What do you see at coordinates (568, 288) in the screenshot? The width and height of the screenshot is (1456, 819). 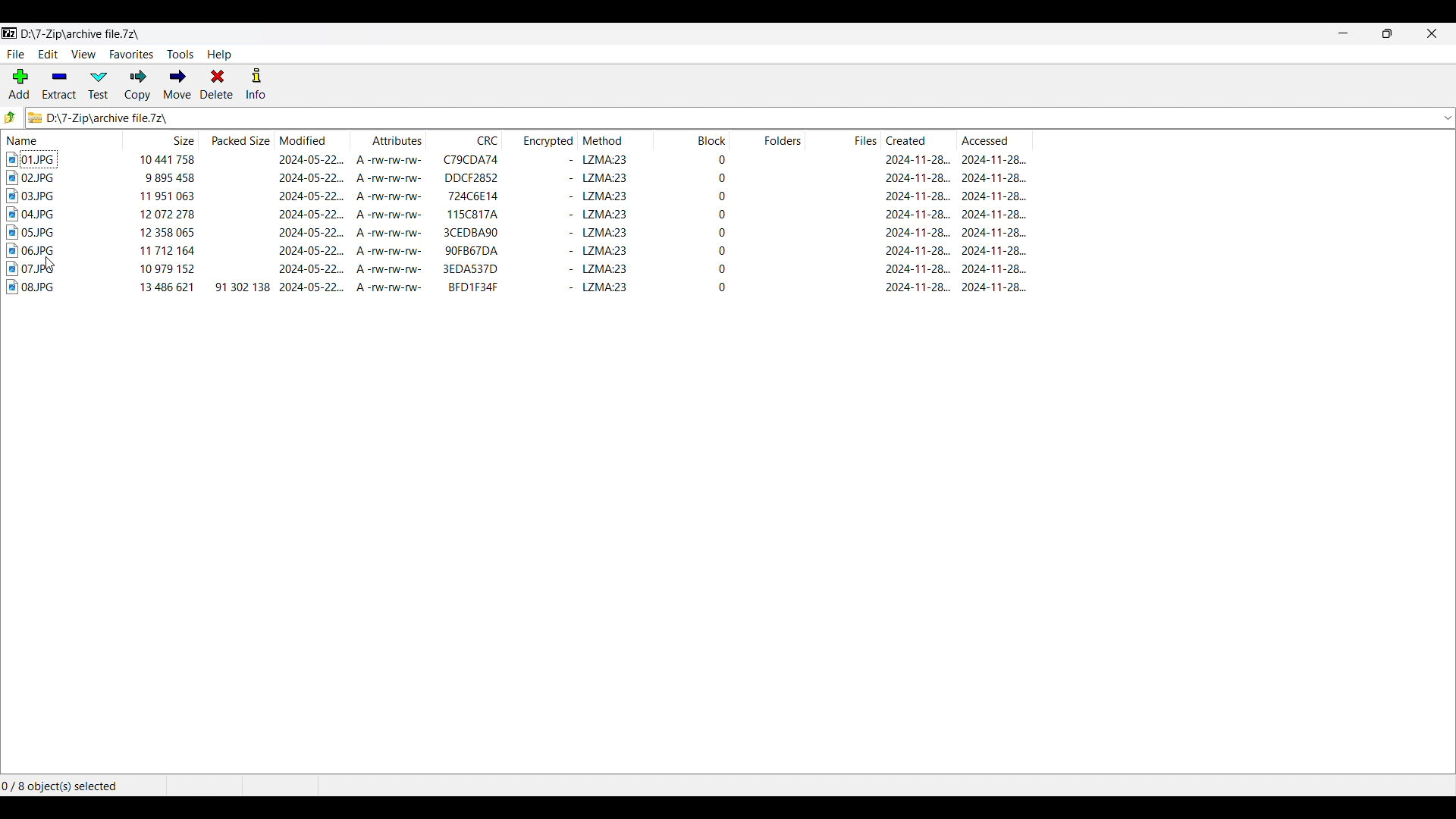 I see `encrypted status` at bounding box center [568, 288].